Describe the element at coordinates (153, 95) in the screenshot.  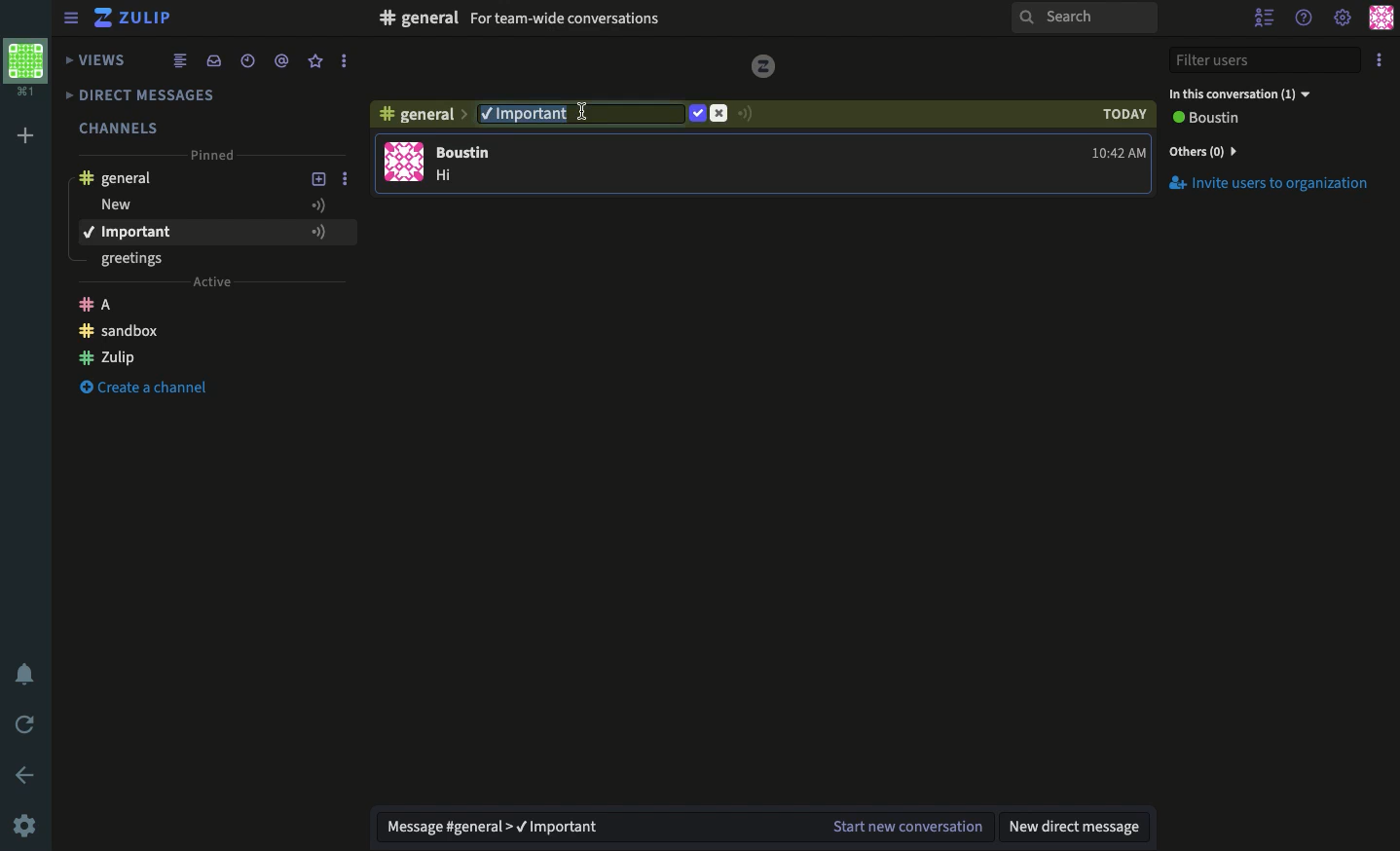
I see `DMs` at that location.